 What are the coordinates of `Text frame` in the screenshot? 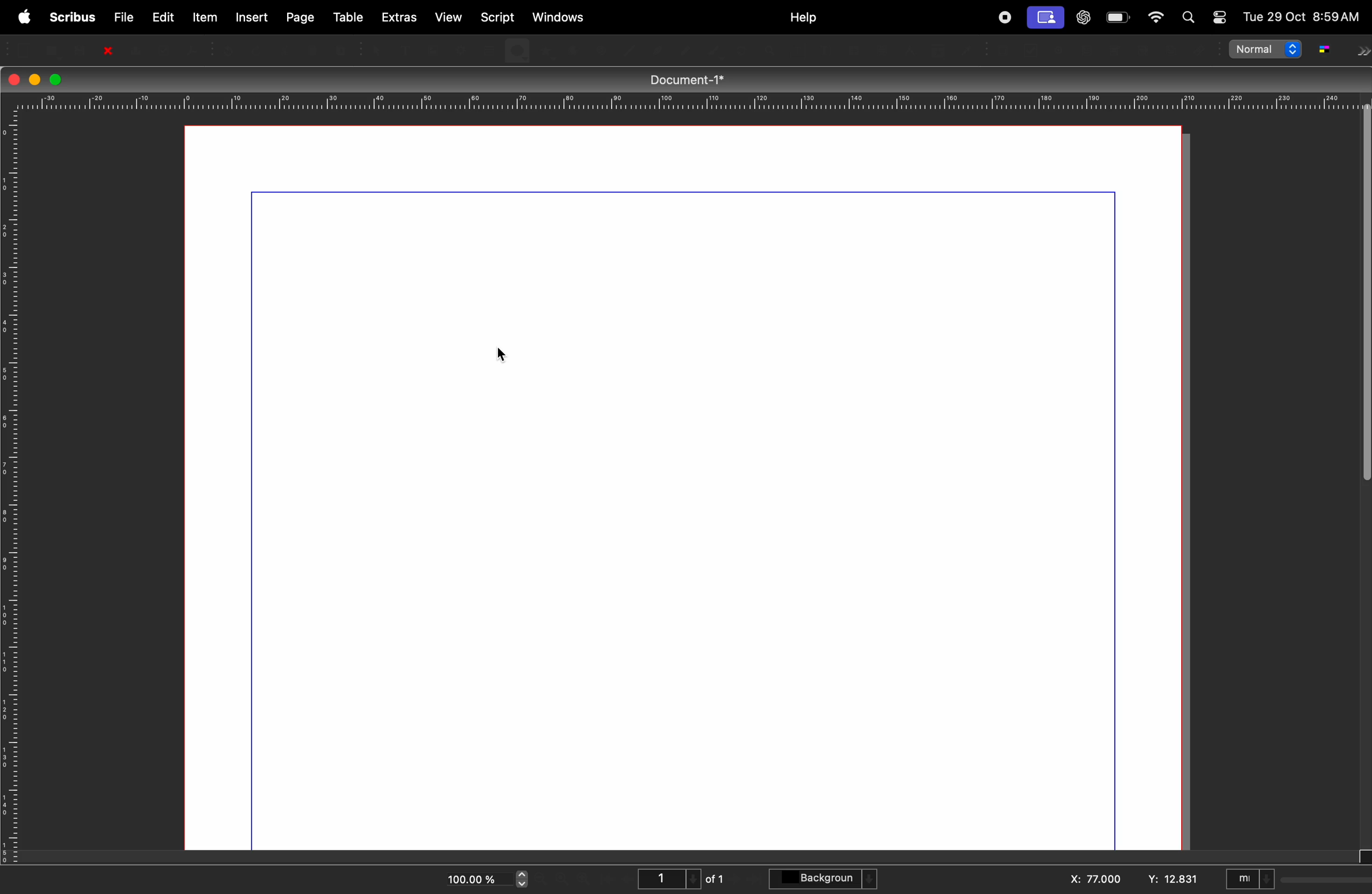 It's located at (404, 48).